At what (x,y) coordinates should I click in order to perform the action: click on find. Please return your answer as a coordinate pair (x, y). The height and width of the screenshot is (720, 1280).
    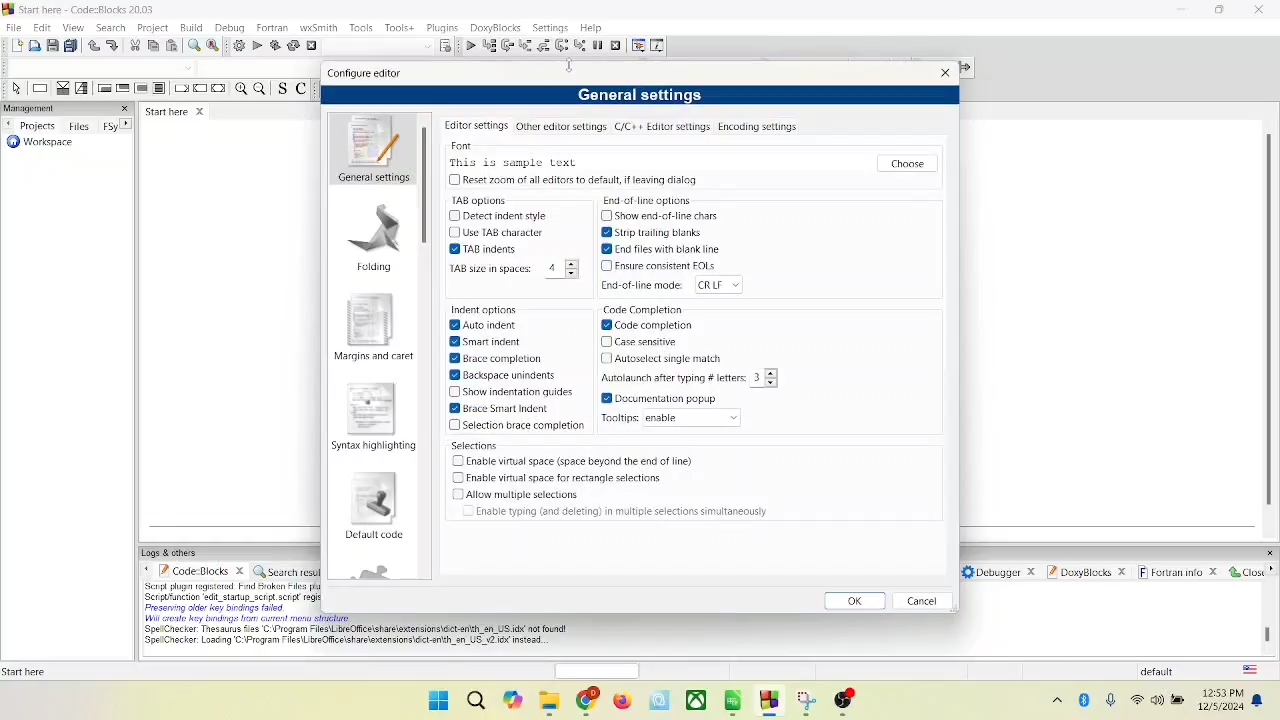
    Looking at the image, I should click on (193, 45).